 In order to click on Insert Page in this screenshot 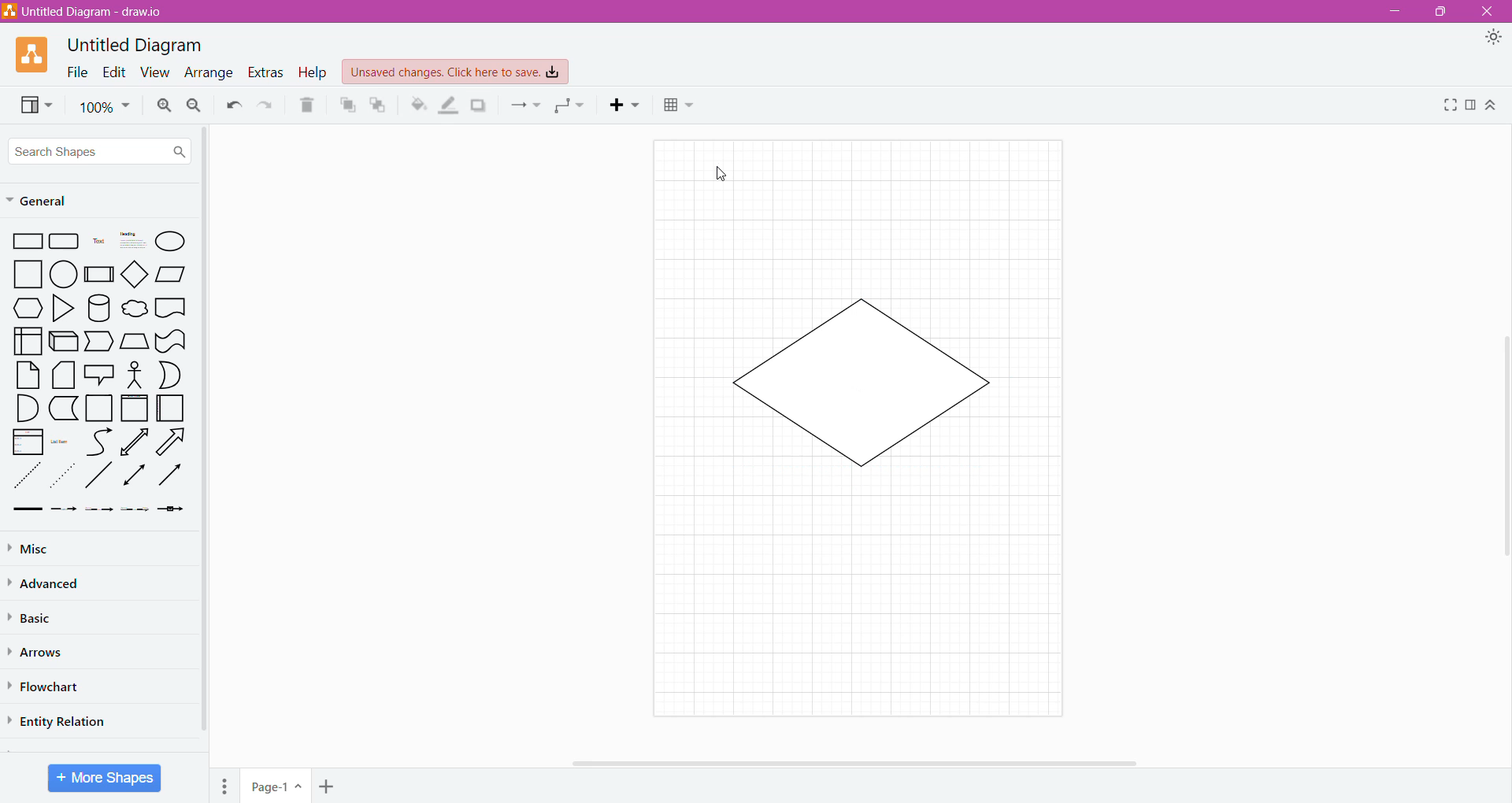, I will do `click(328, 785)`.